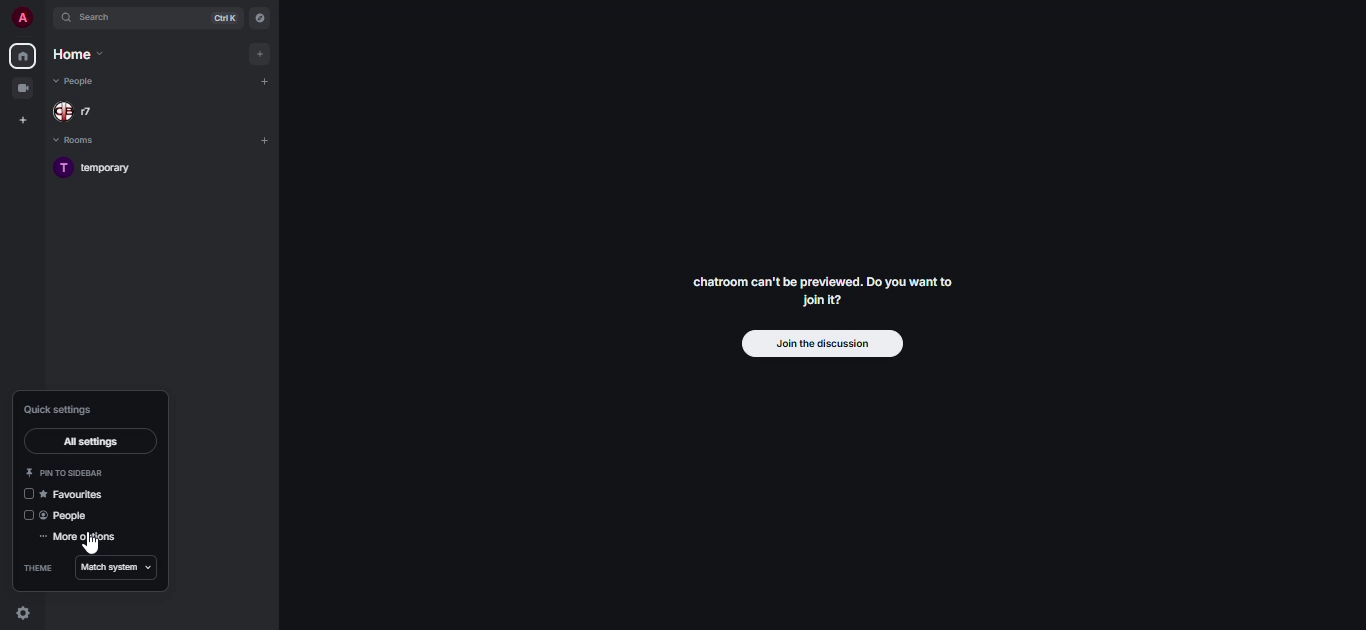 This screenshot has height=630, width=1366. Describe the element at coordinates (260, 54) in the screenshot. I see `add` at that location.